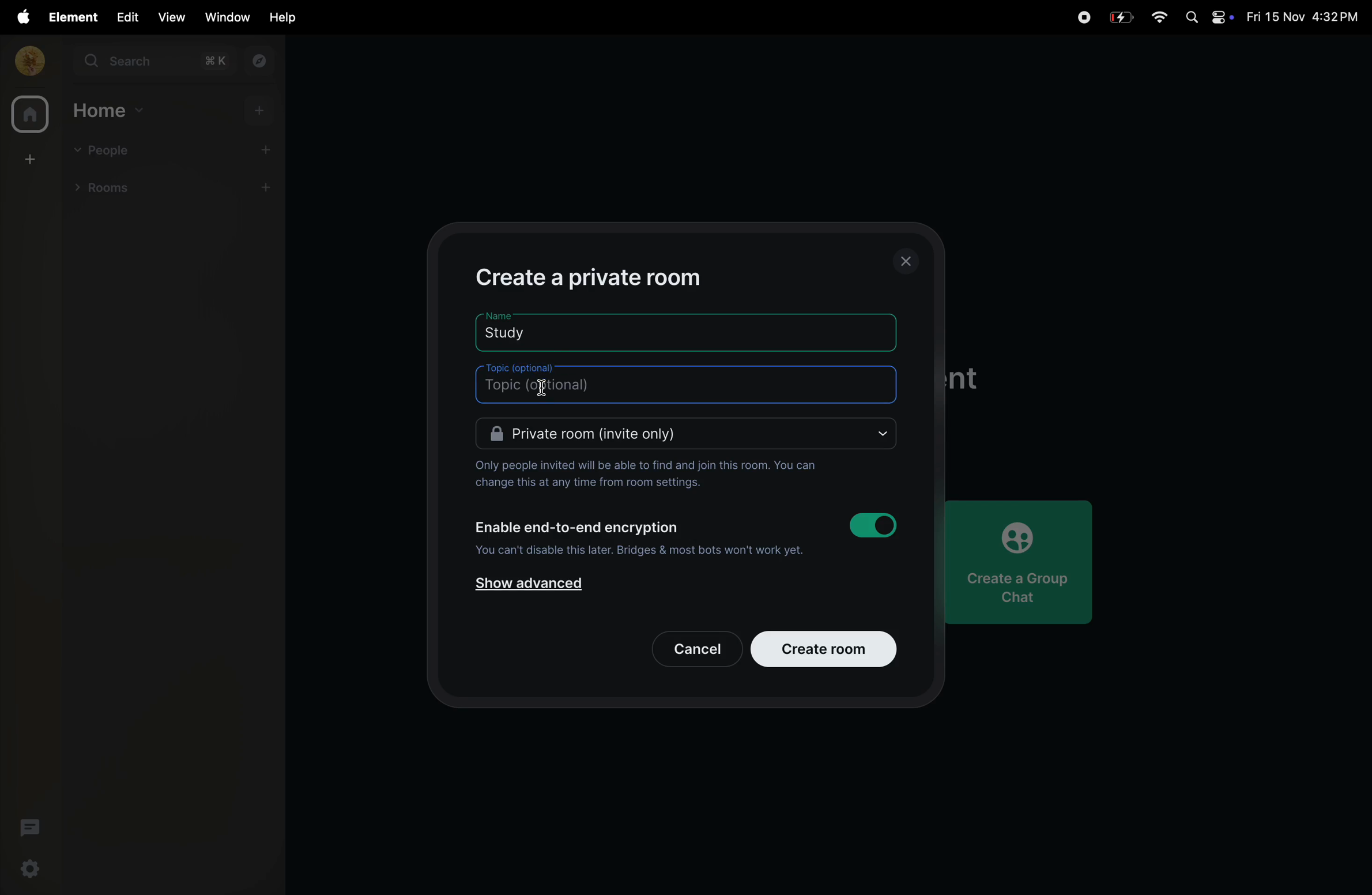 The image size is (1372, 895). I want to click on window, so click(224, 17).